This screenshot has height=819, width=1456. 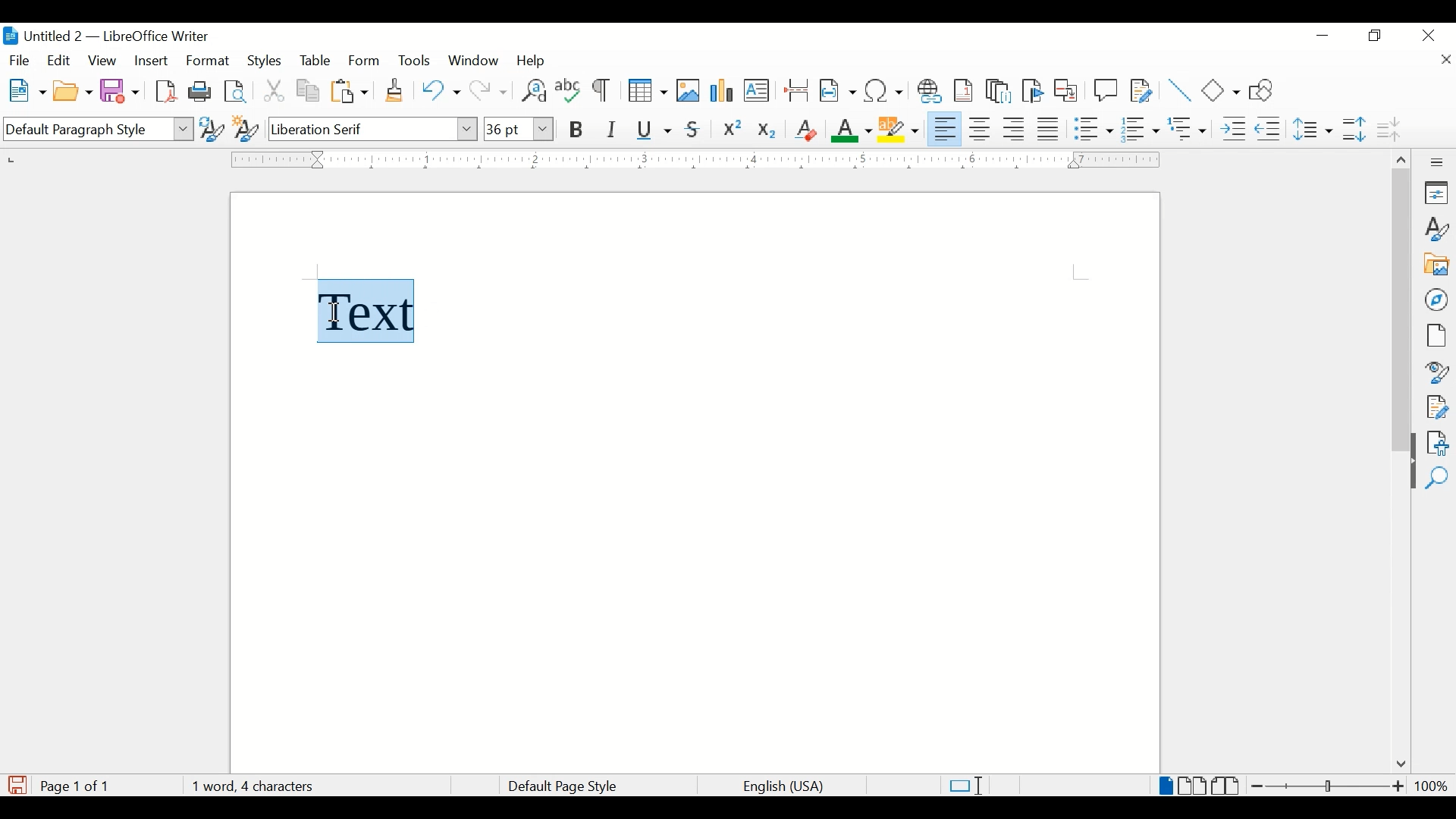 What do you see at coordinates (1228, 786) in the screenshot?
I see `book view` at bounding box center [1228, 786].